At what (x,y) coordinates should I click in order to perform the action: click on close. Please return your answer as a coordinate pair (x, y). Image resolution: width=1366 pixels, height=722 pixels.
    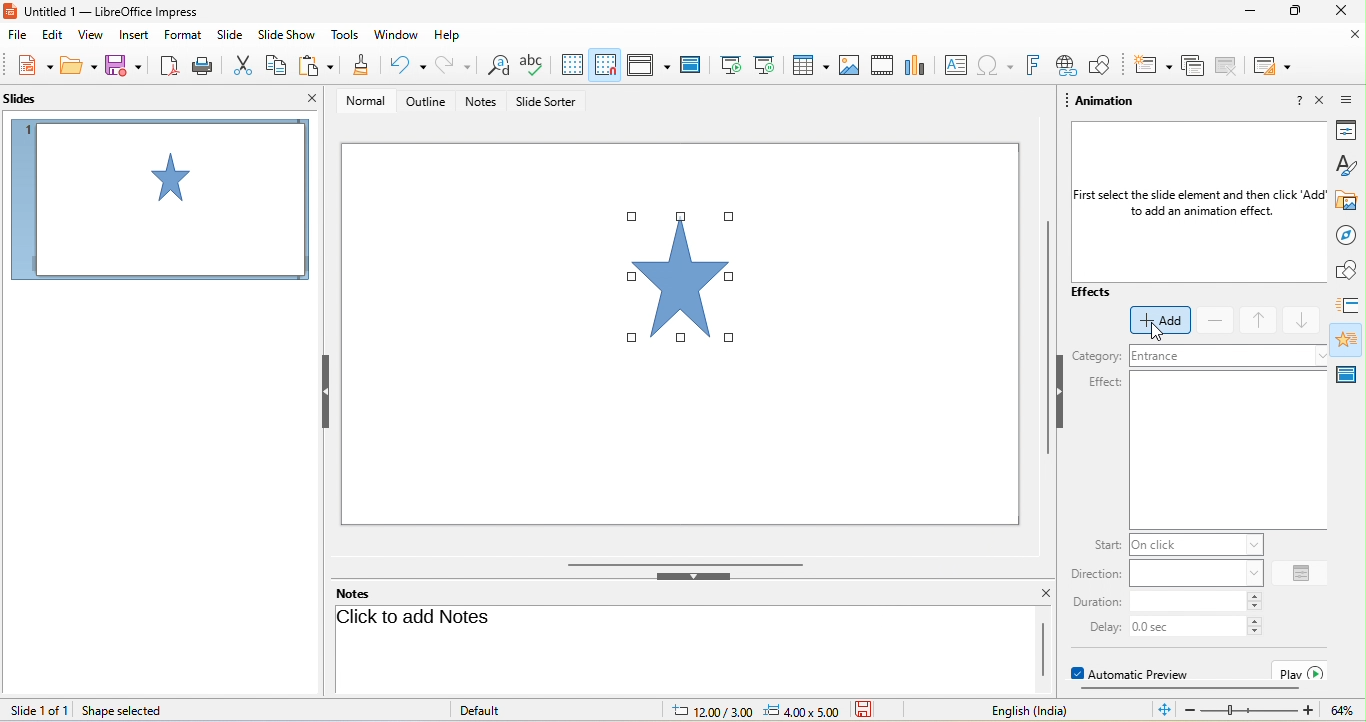
    Looking at the image, I should click on (1321, 100).